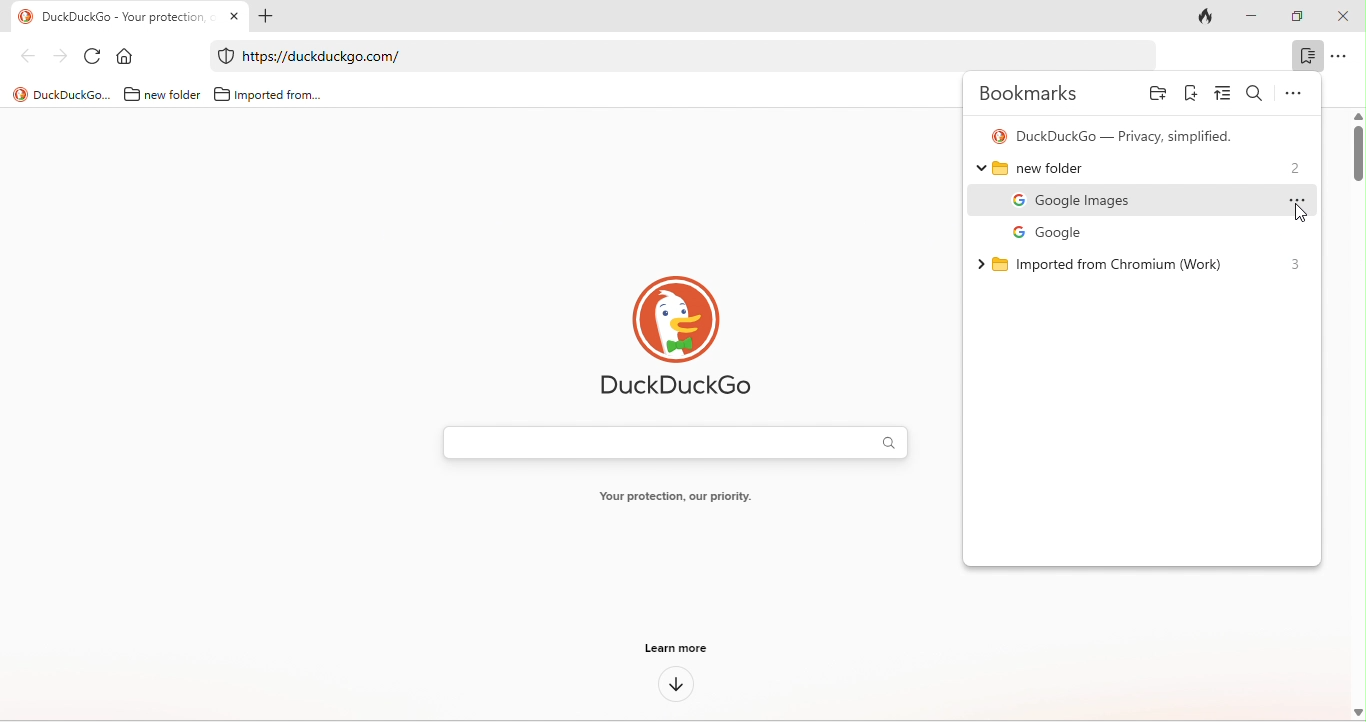 This screenshot has height=722, width=1366. Describe the element at coordinates (271, 17) in the screenshot. I see `add ` at that location.